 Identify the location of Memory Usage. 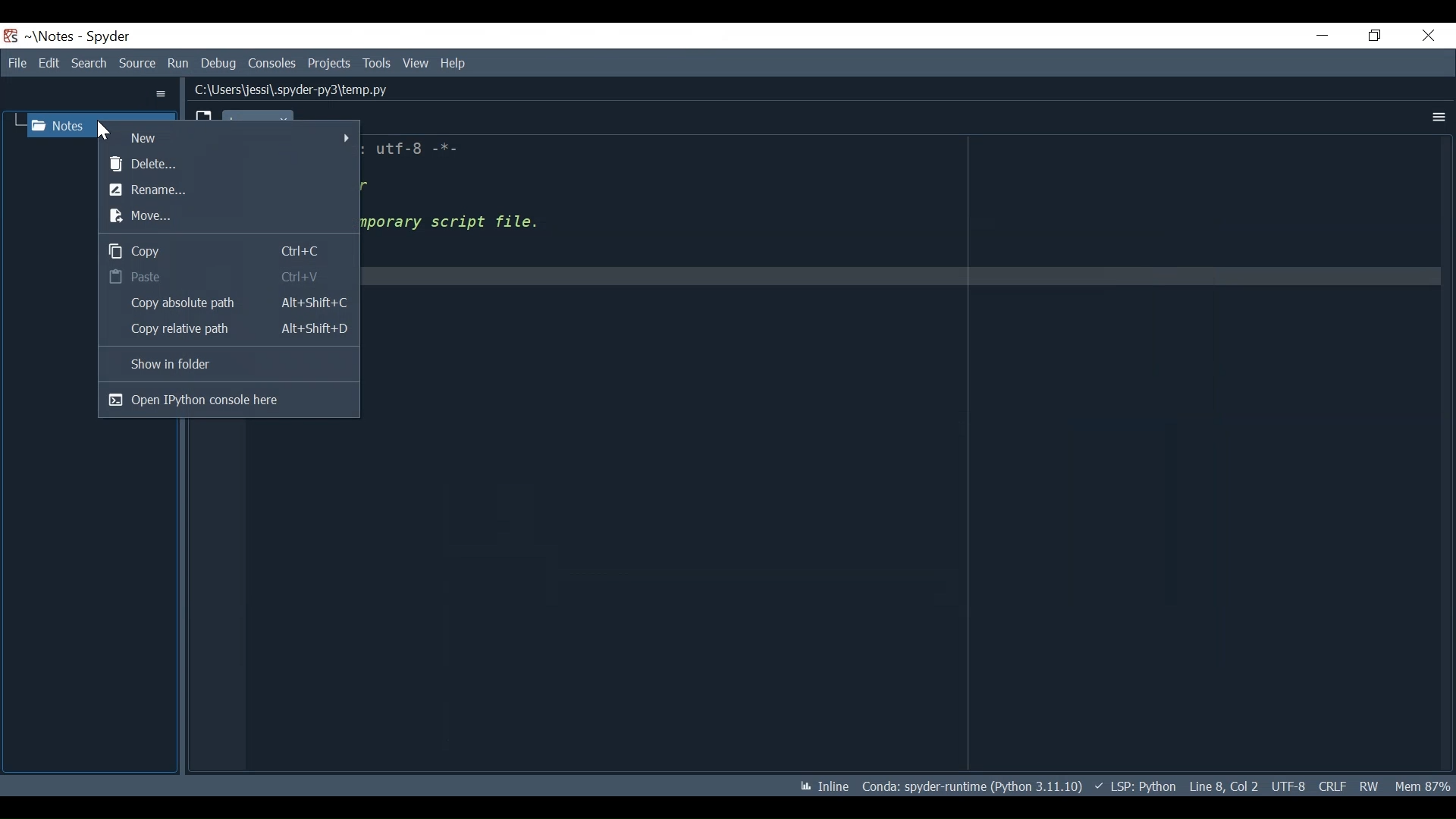
(1420, 786).